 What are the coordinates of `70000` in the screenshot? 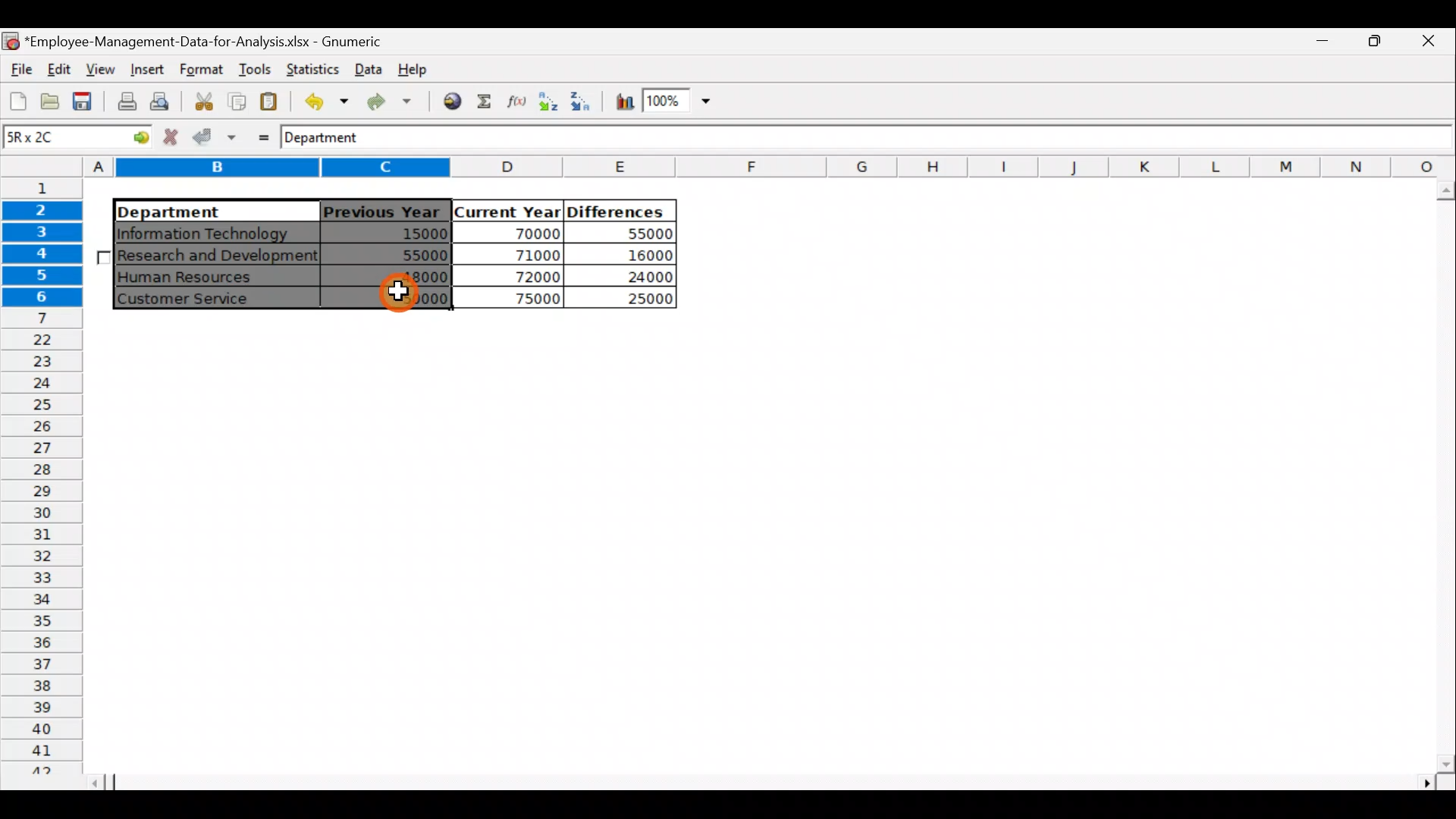 It's located at (523, 233).